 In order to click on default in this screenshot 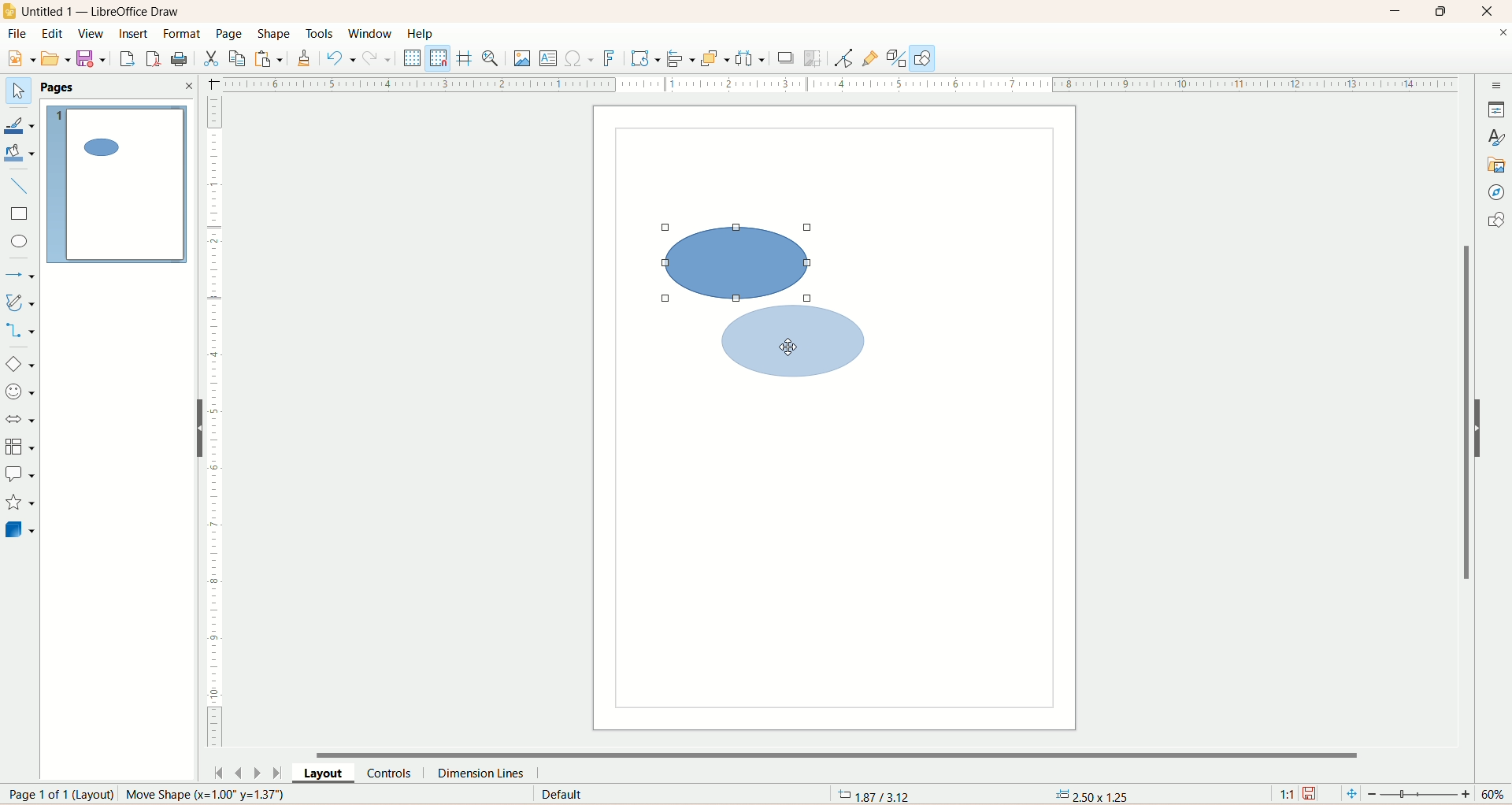, I will do `click(551, 796)`.